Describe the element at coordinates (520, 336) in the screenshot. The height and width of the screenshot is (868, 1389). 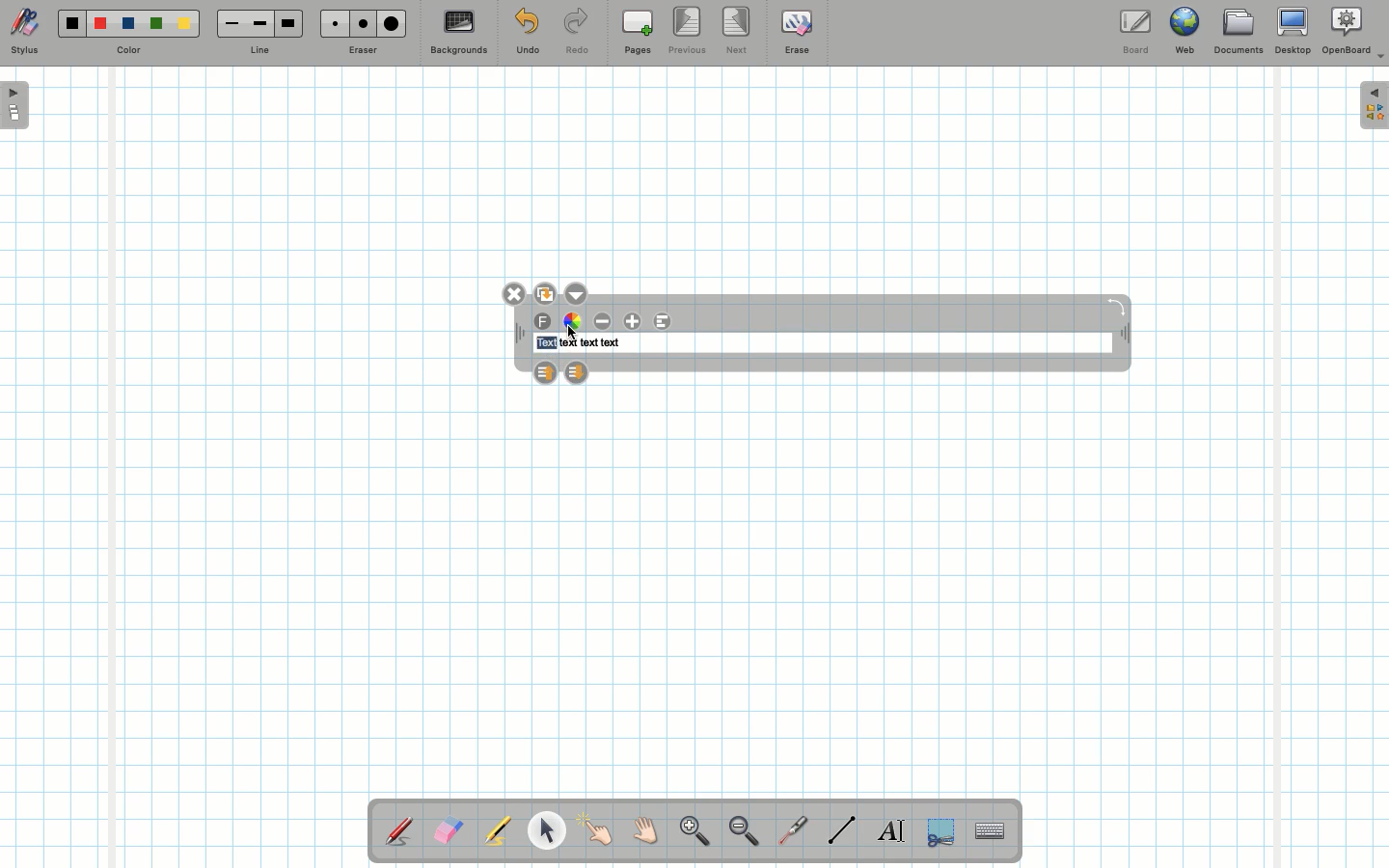
I see `Move` at that location.